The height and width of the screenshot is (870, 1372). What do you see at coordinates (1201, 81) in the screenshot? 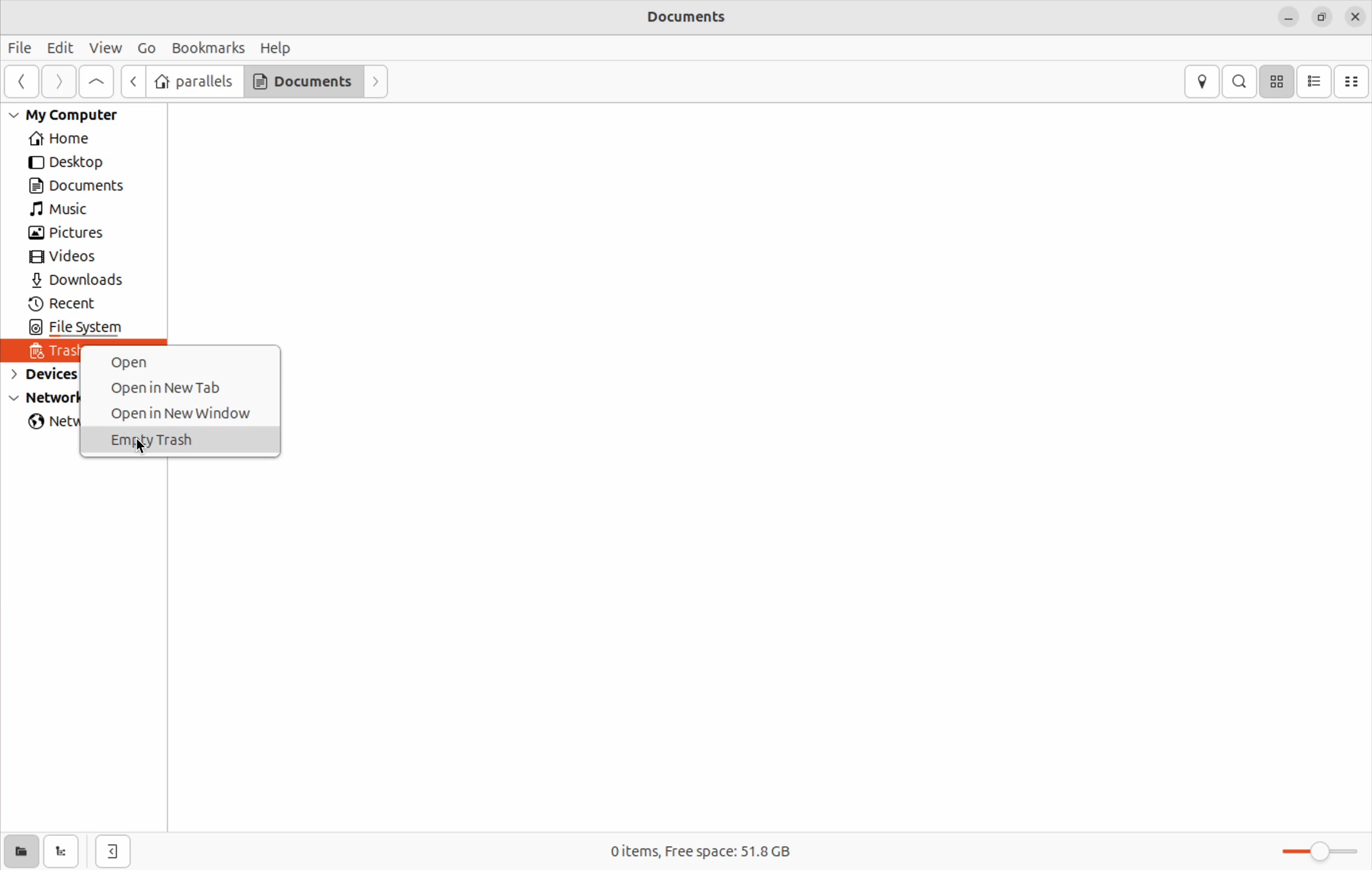
I see `location` at bounding box center [1201, 81].